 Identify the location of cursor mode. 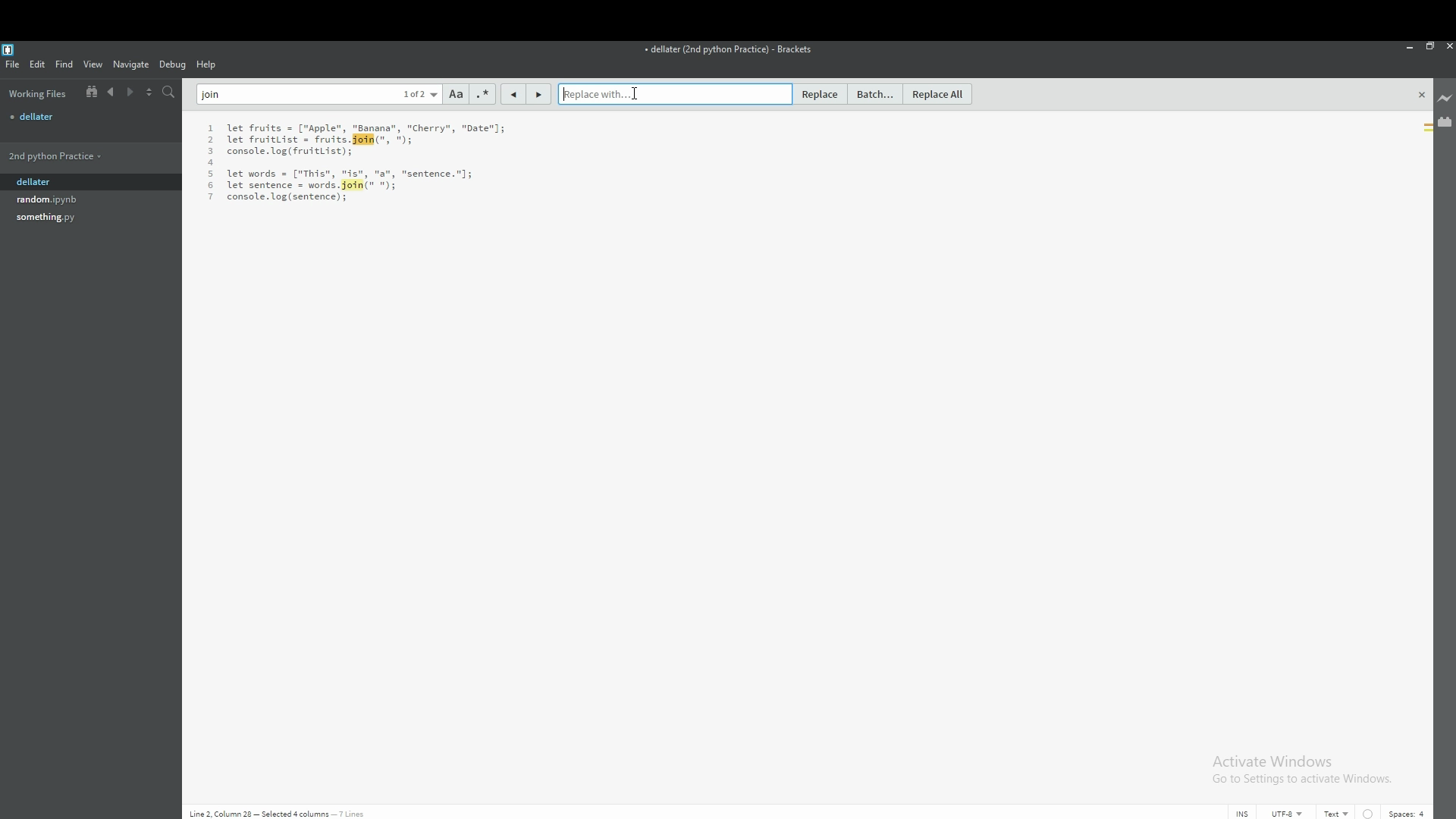
(1242, 813).